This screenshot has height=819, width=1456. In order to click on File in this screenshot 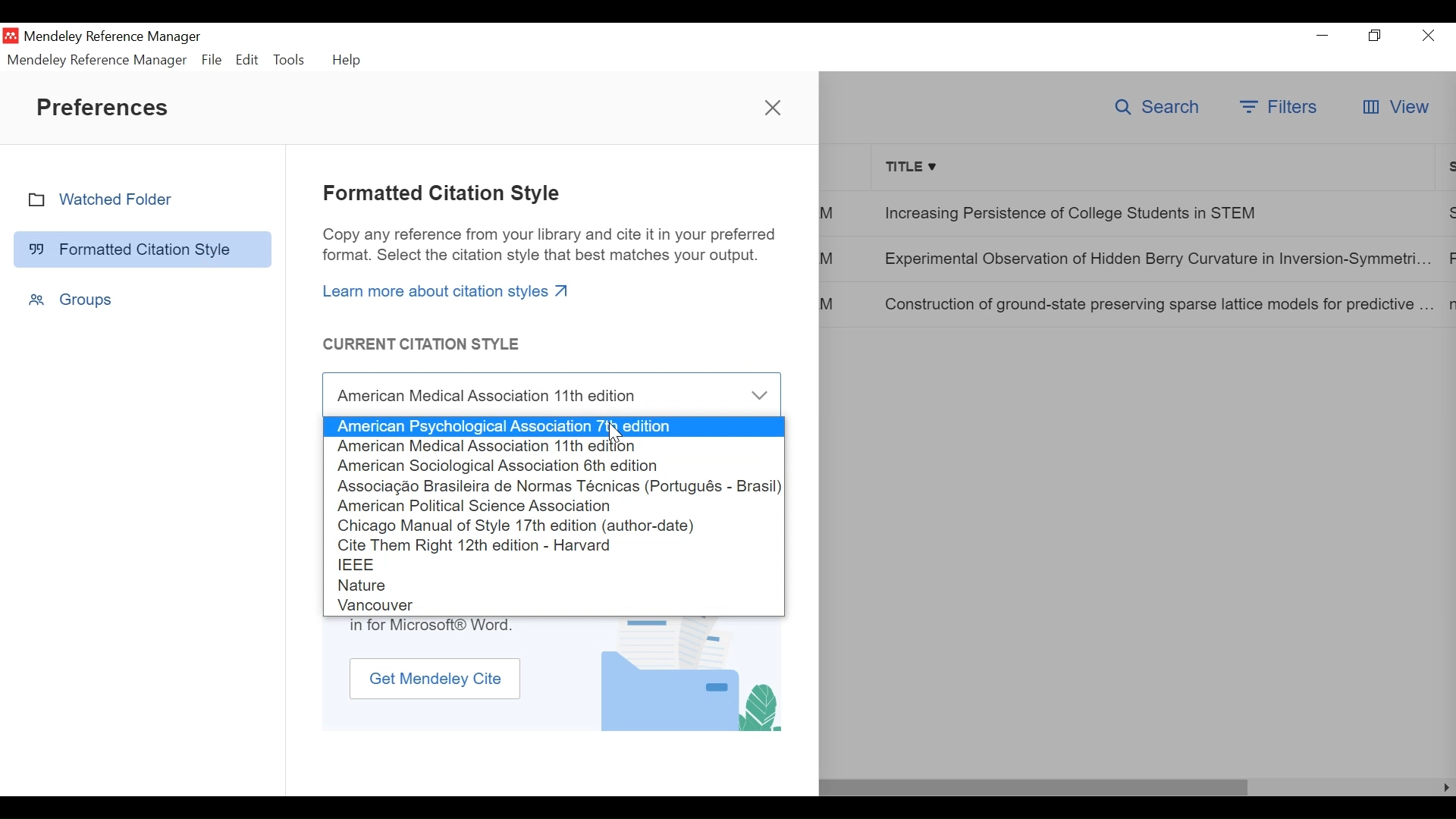, I will do `click(211, 60)`.